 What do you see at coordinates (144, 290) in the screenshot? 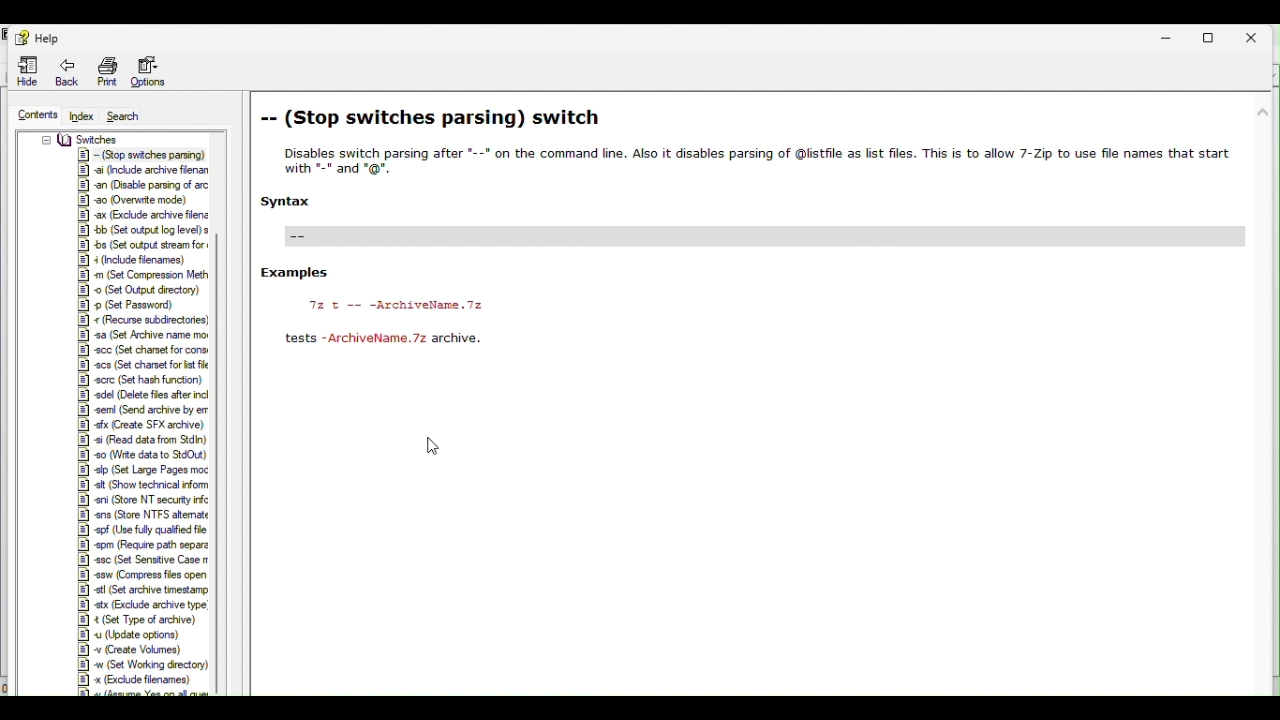
I see `` at bounding box center [144, 290].